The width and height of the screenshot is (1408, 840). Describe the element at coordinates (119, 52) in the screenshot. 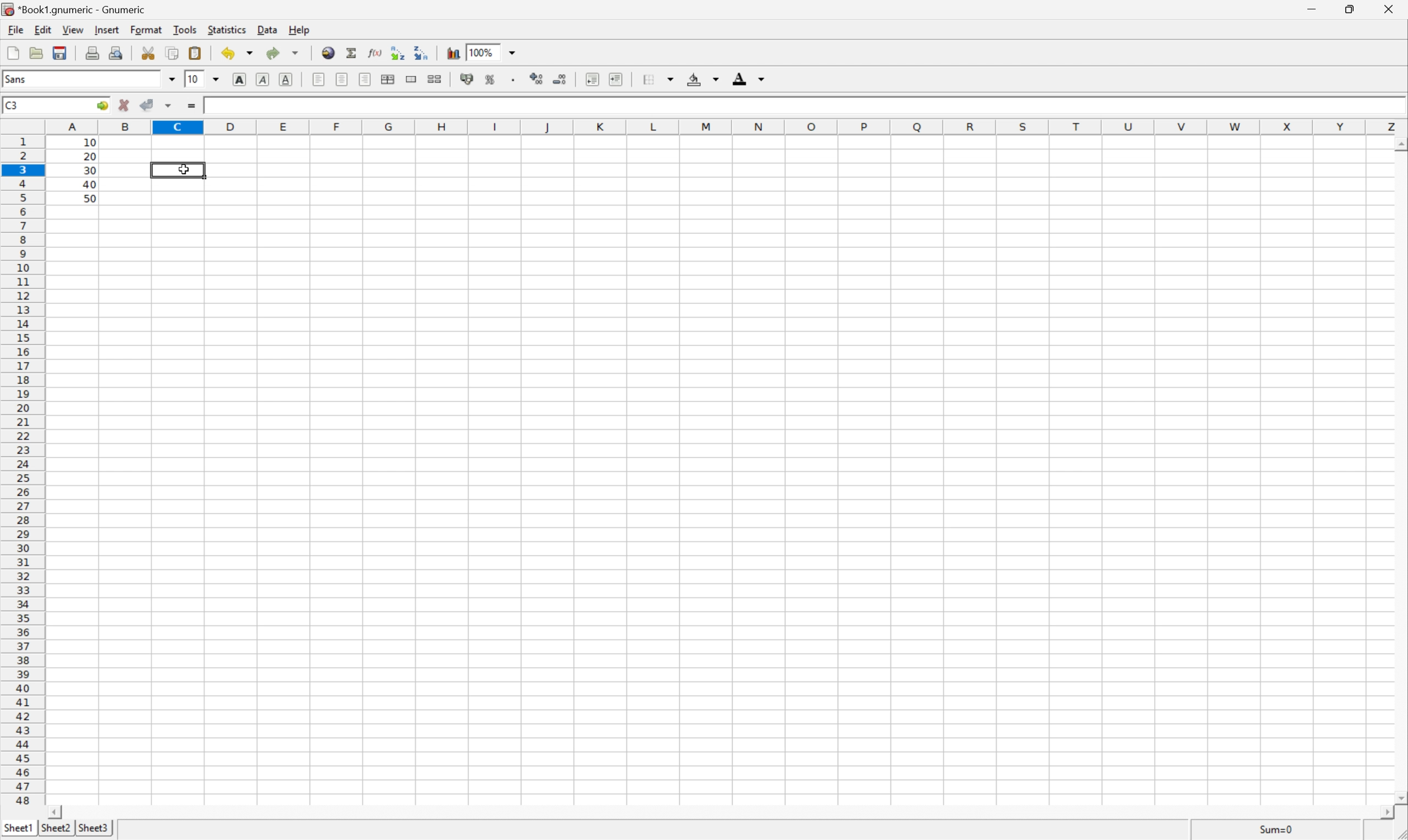

I see `Print preview` at that location.